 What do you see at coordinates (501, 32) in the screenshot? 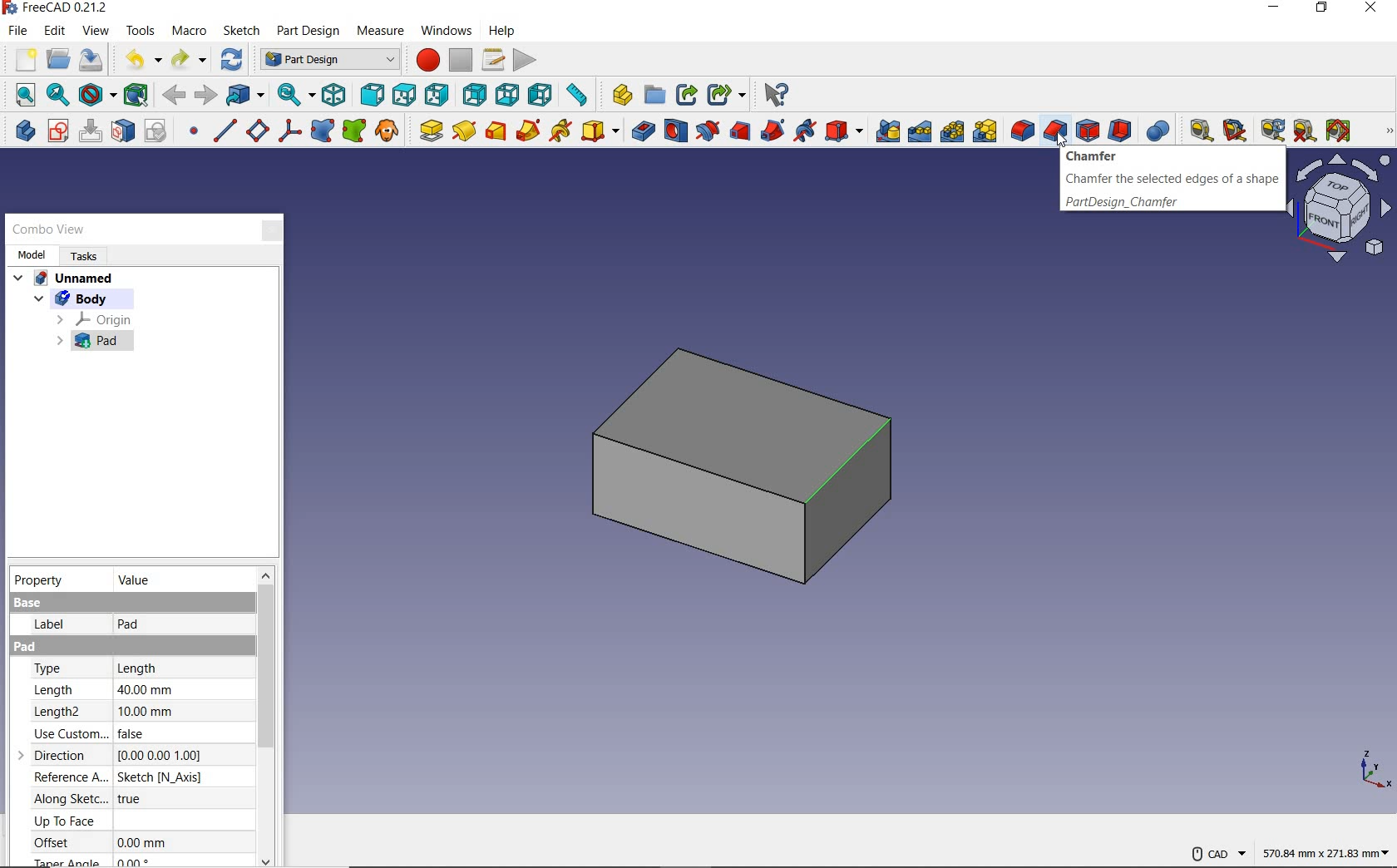
I see `help` at bounding box center [501, 32].